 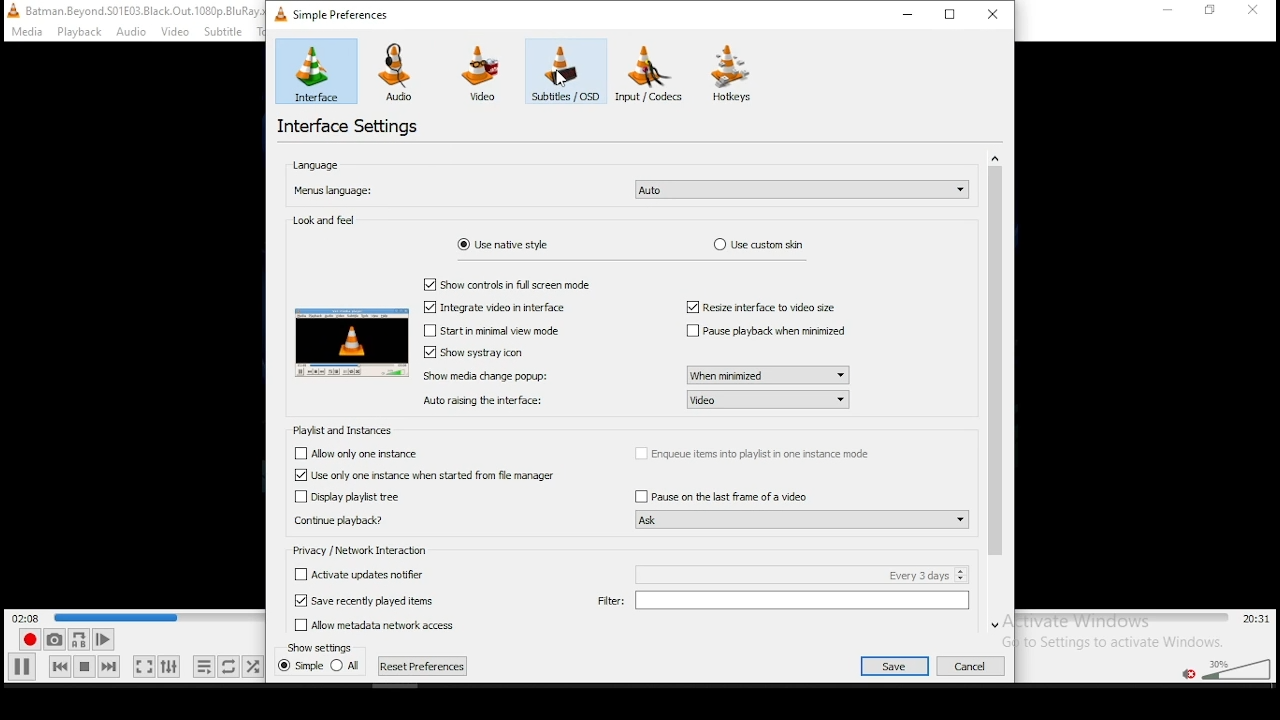 I want to click on , so click(x=1002, y=390).